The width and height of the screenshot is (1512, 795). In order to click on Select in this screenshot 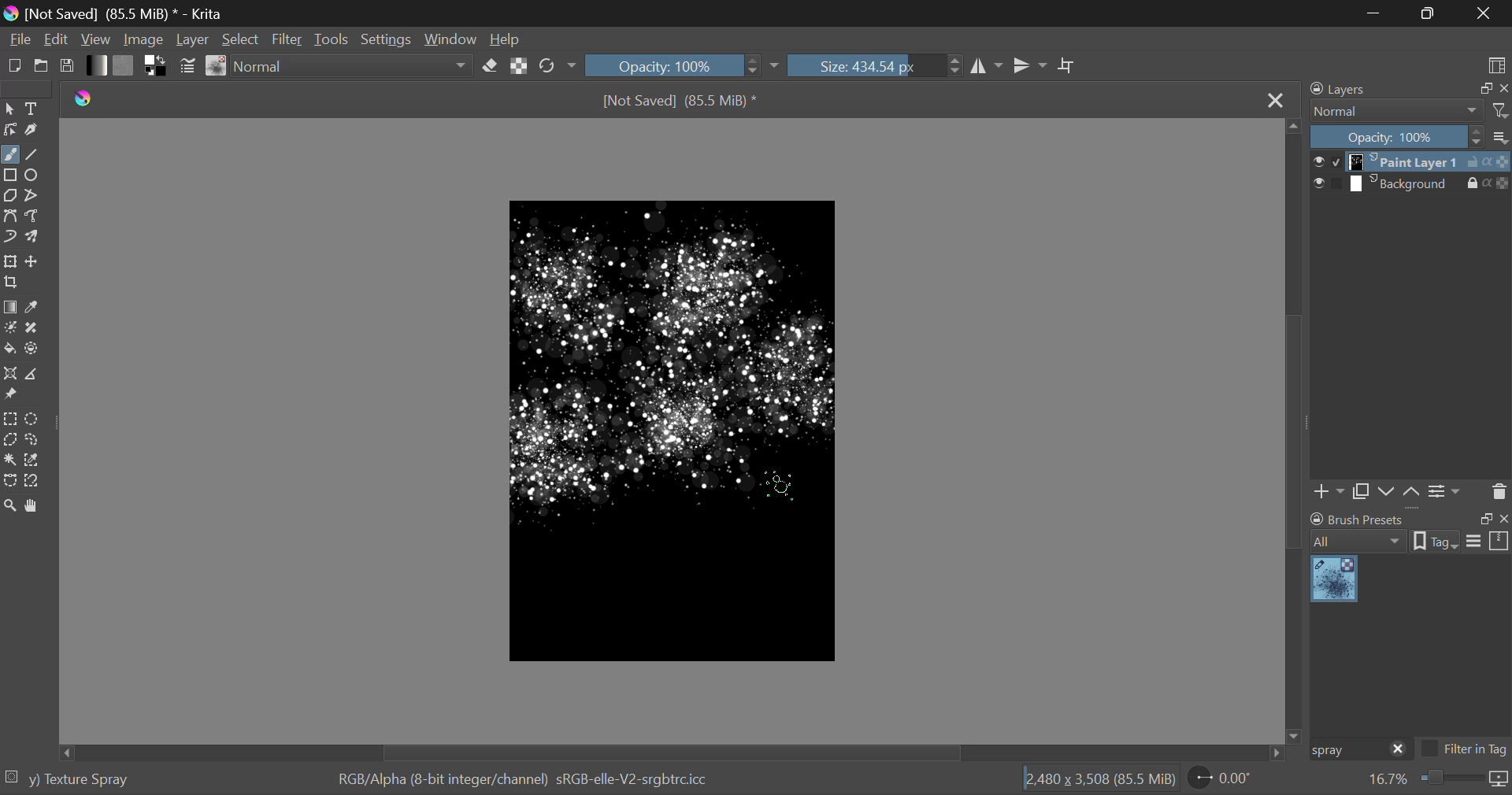, I will do `click(241, 39)`.